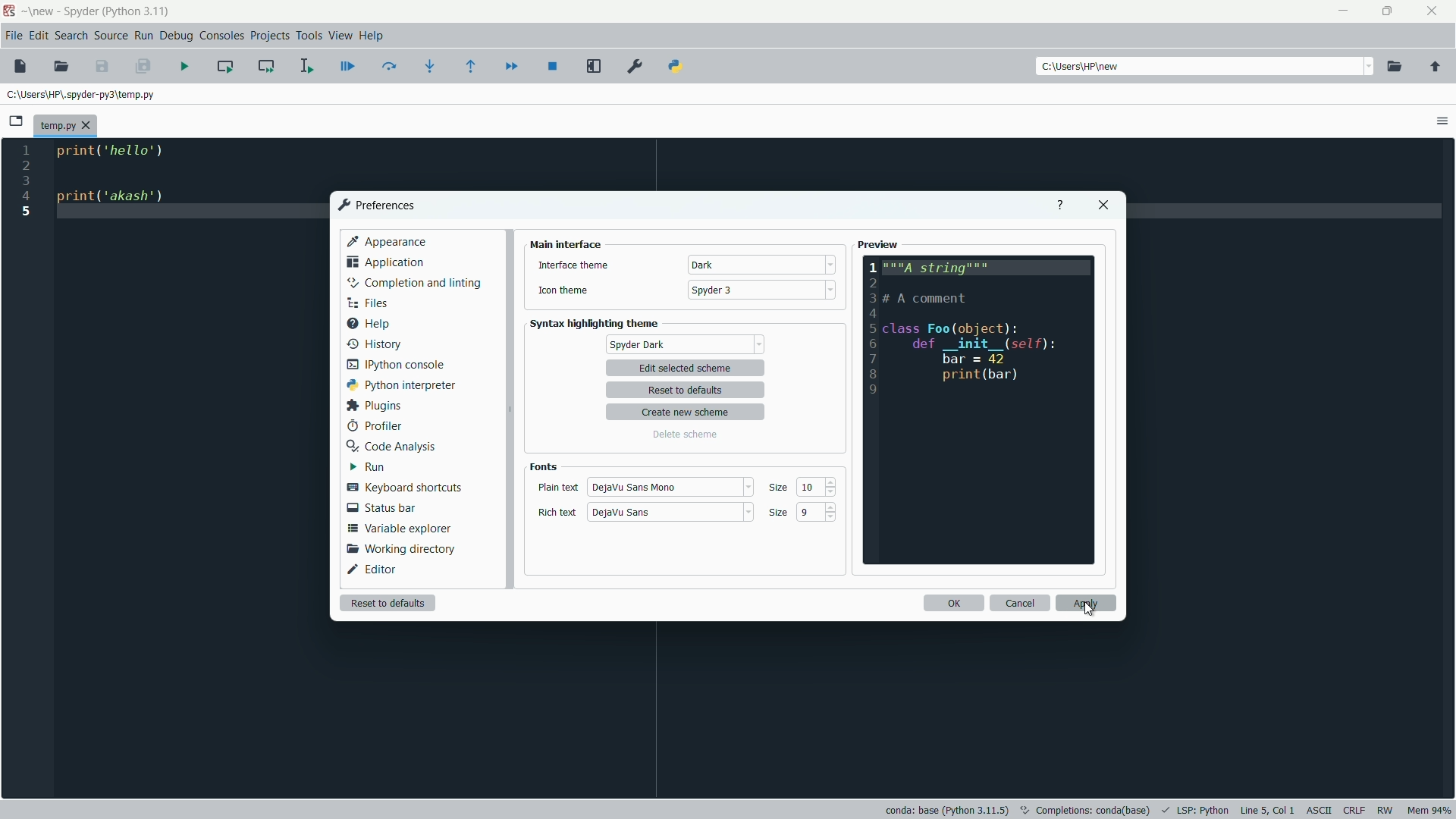 The image size is (1456, 819). Describe the element at coordinates (952, 603) in the screenshot. I see `ok` at that location.